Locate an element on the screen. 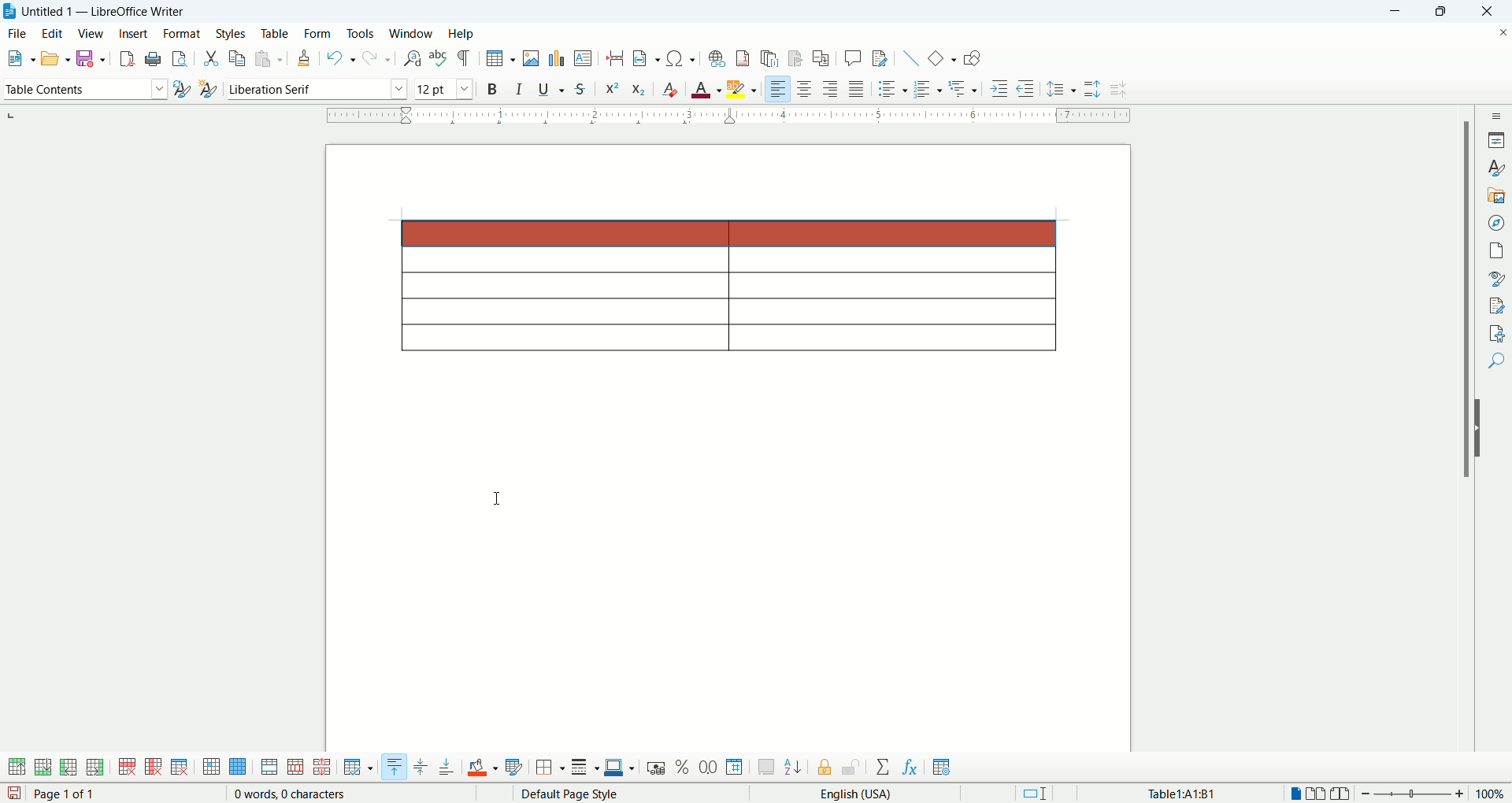 The height and width of the screenshot is (803, 1512). autoformat styles is located at coordinates (514, 768).